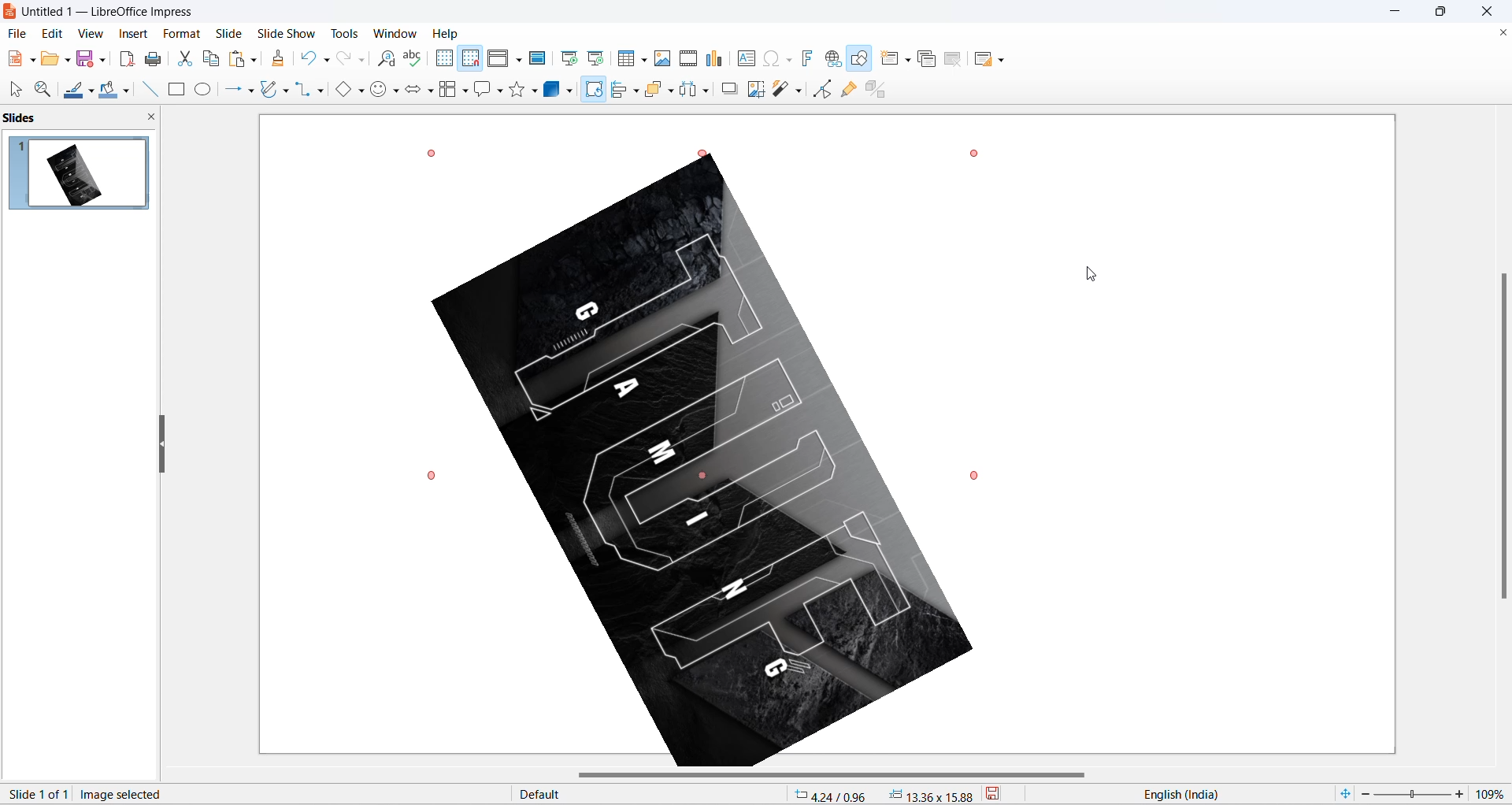  I want to click on ellipse, so click(205, 89).